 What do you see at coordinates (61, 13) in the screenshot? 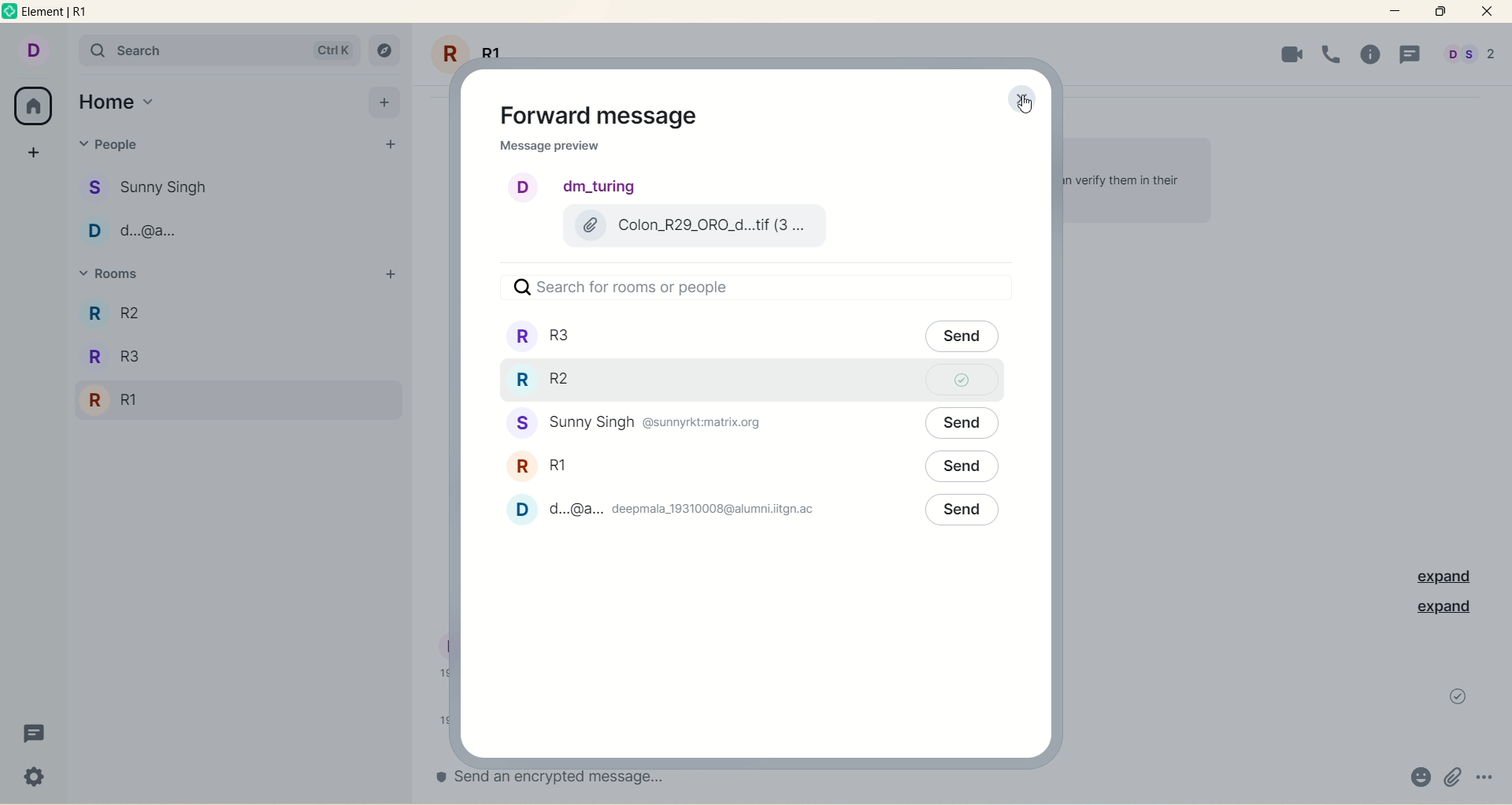
I see `element` at bounding box center [61, 13].